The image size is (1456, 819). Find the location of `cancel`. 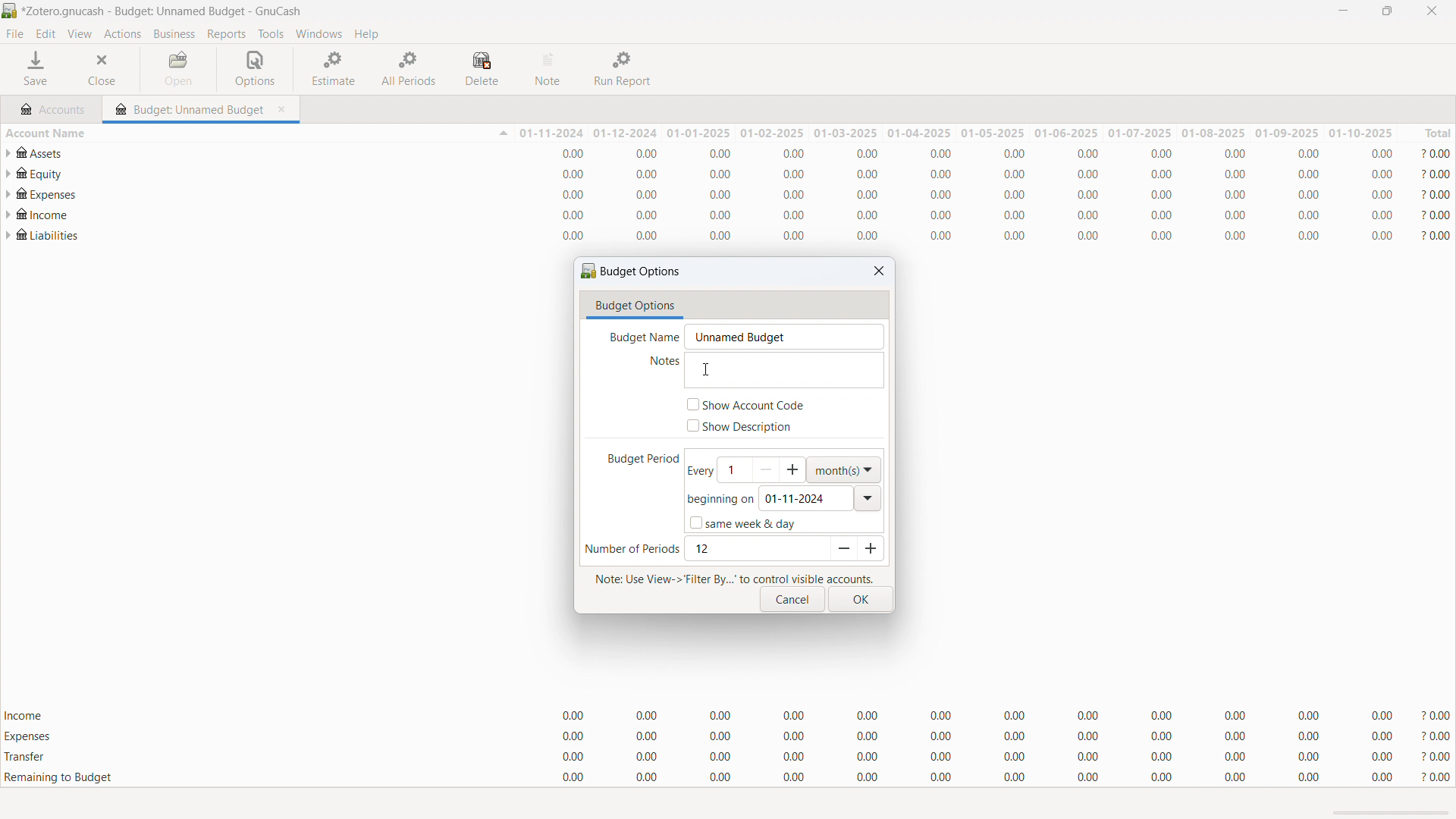

cancel is located at coordinates (792, 600).